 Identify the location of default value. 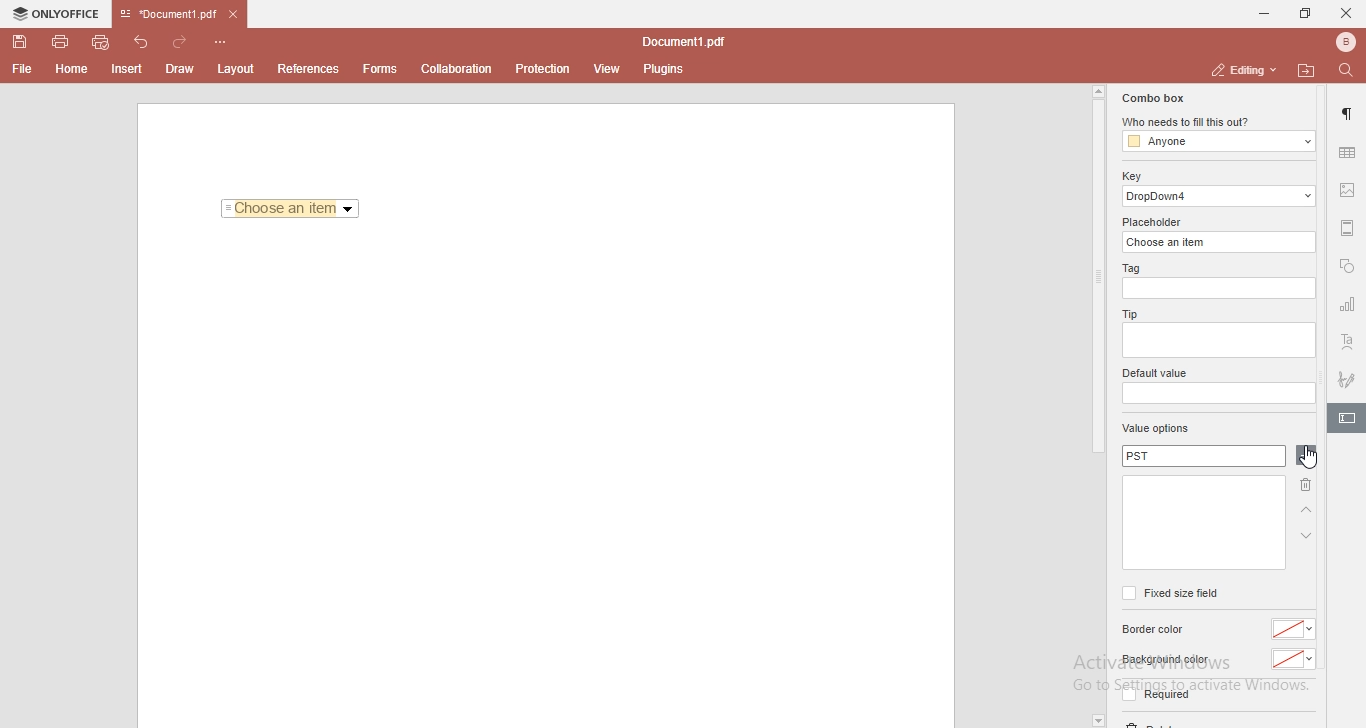
(1157, 374).